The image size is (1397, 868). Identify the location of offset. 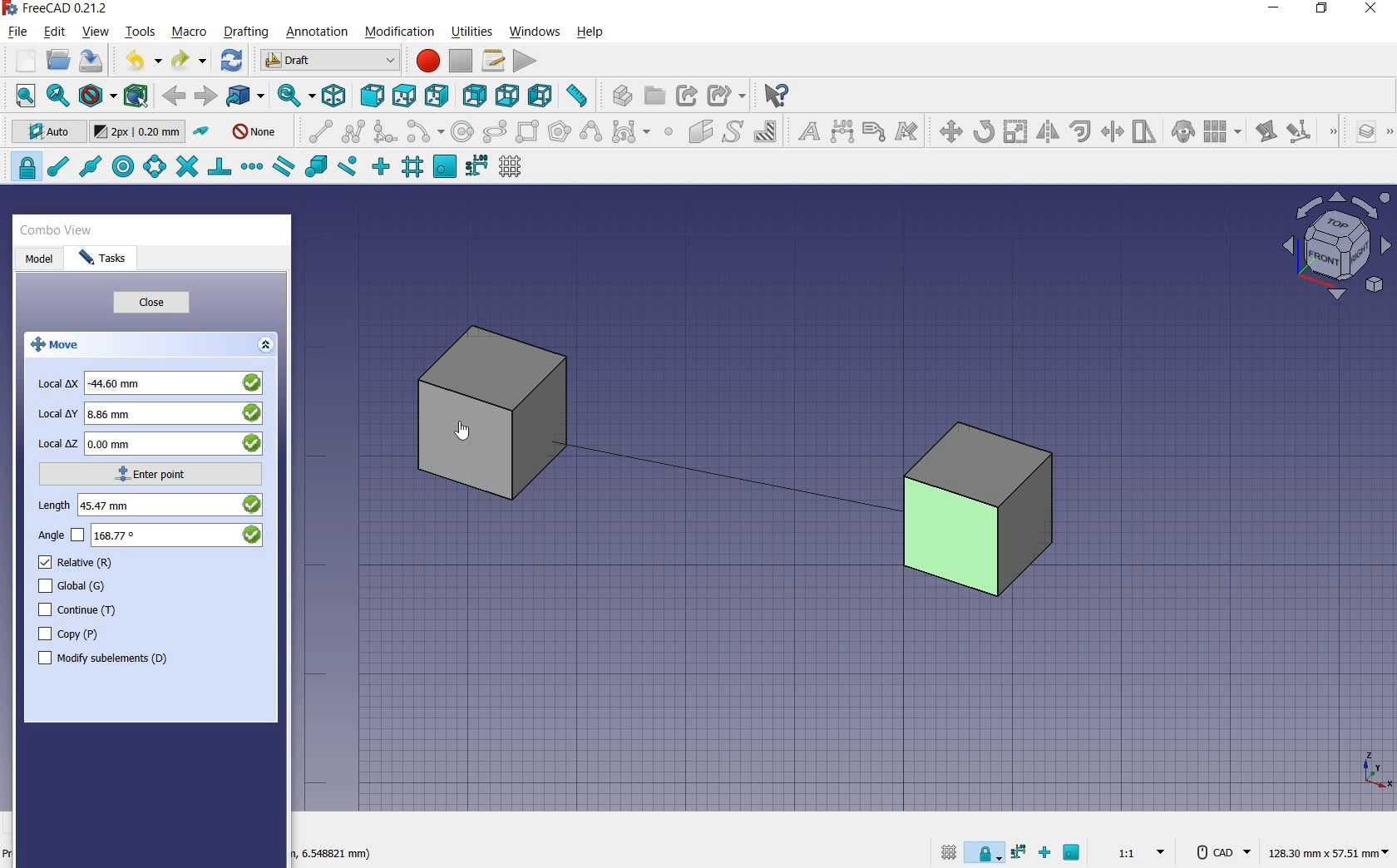
(1081, 131).